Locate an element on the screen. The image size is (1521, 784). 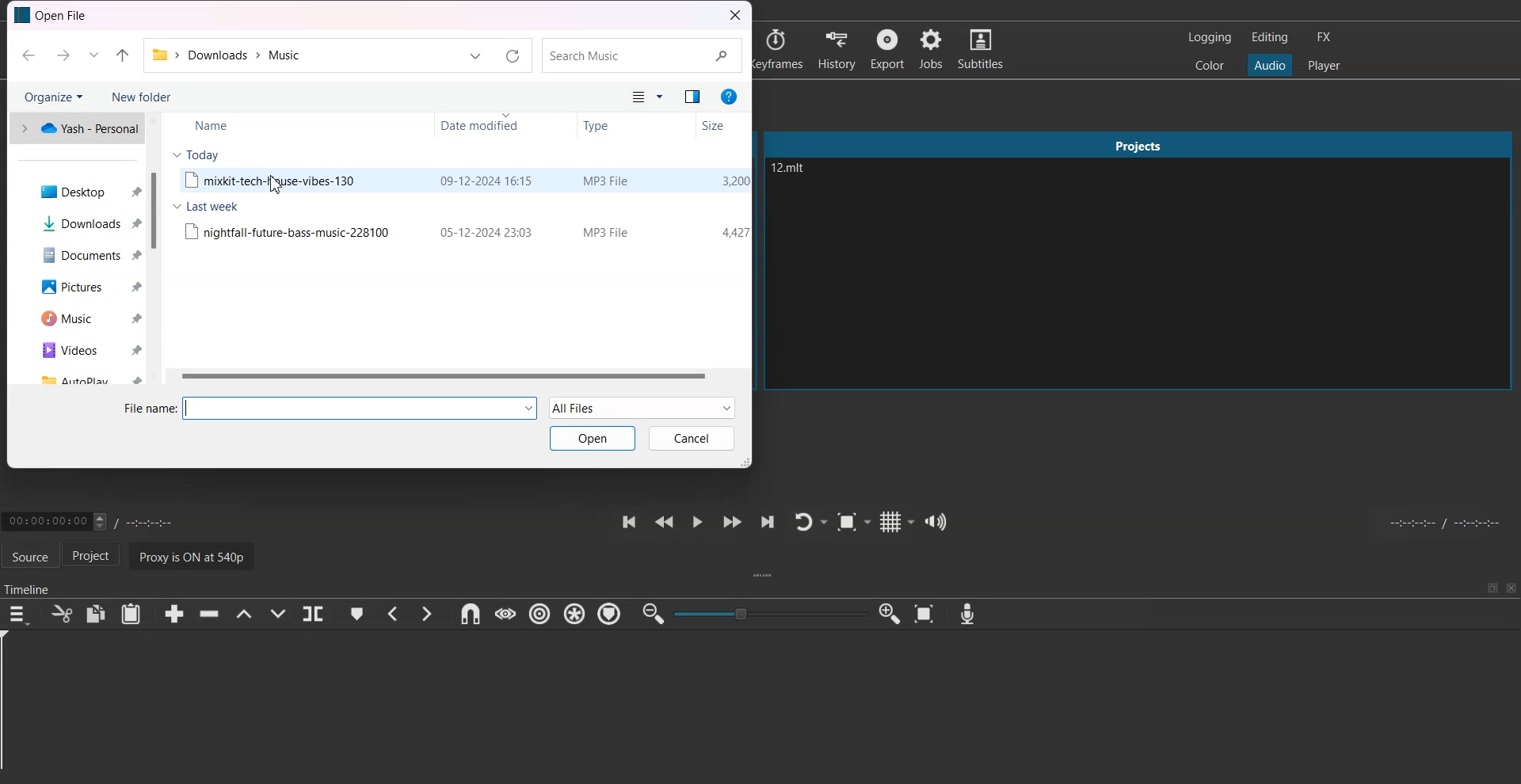
Zoom timeline to fit is located at coordinates (927, 614).